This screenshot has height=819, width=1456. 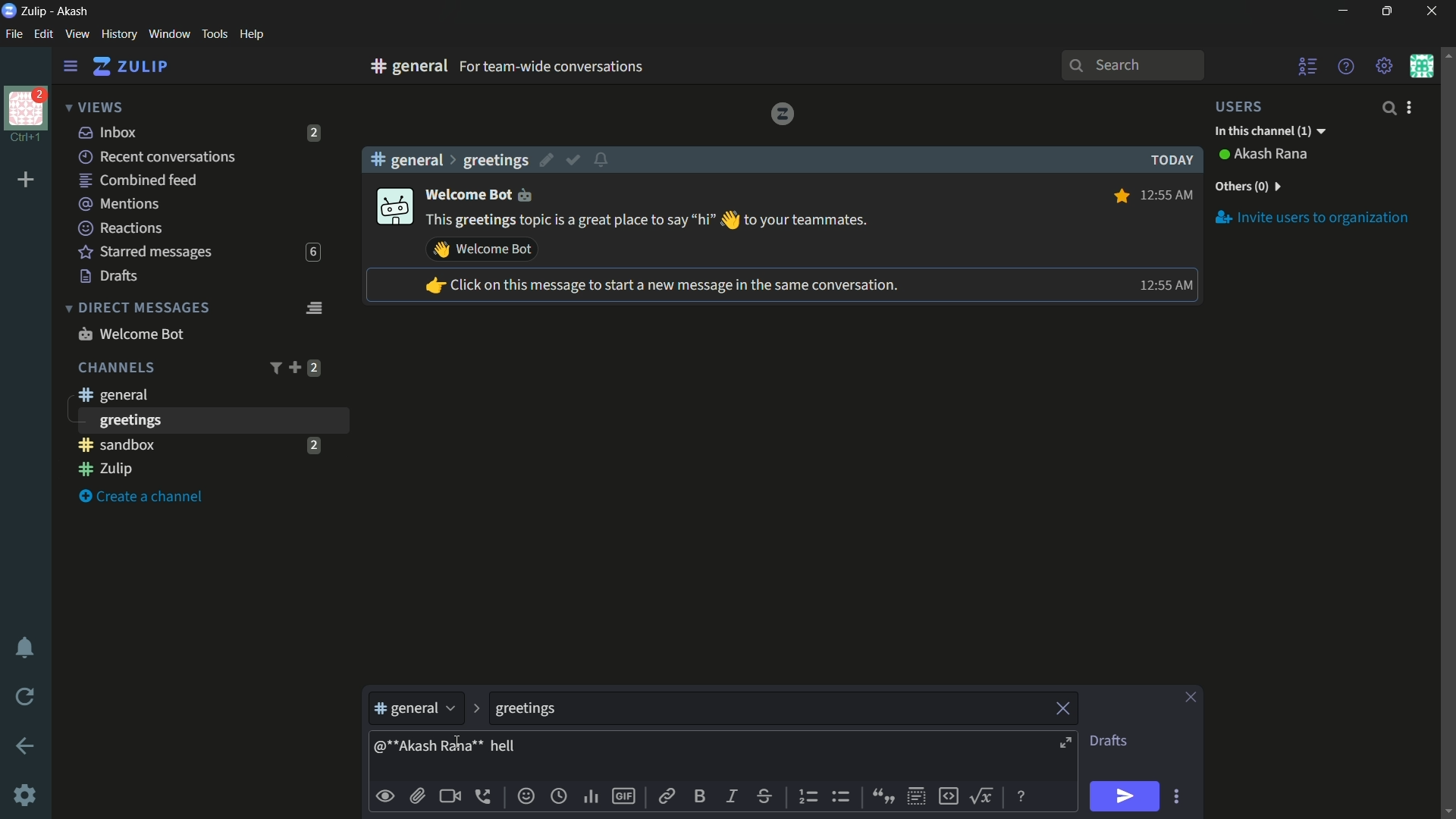 What do you see at coordinates (120, 227) in the screenshot?
I see `reactions` at bounding box center [120, 227].